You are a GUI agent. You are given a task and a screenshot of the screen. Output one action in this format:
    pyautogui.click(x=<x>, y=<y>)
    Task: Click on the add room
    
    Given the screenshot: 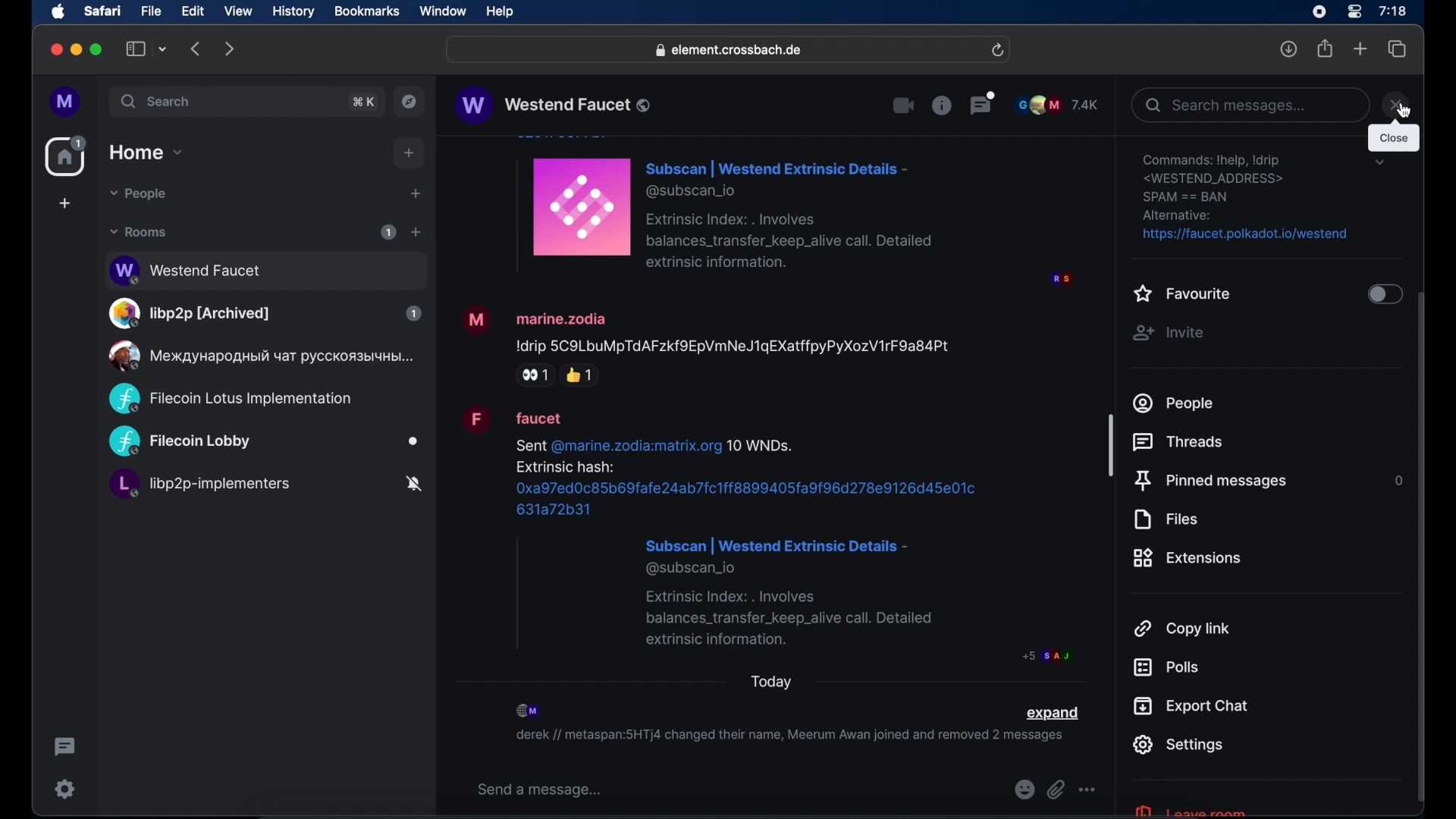 What is the action you would take?
    pyautogui.click(x=416, y=232)
    